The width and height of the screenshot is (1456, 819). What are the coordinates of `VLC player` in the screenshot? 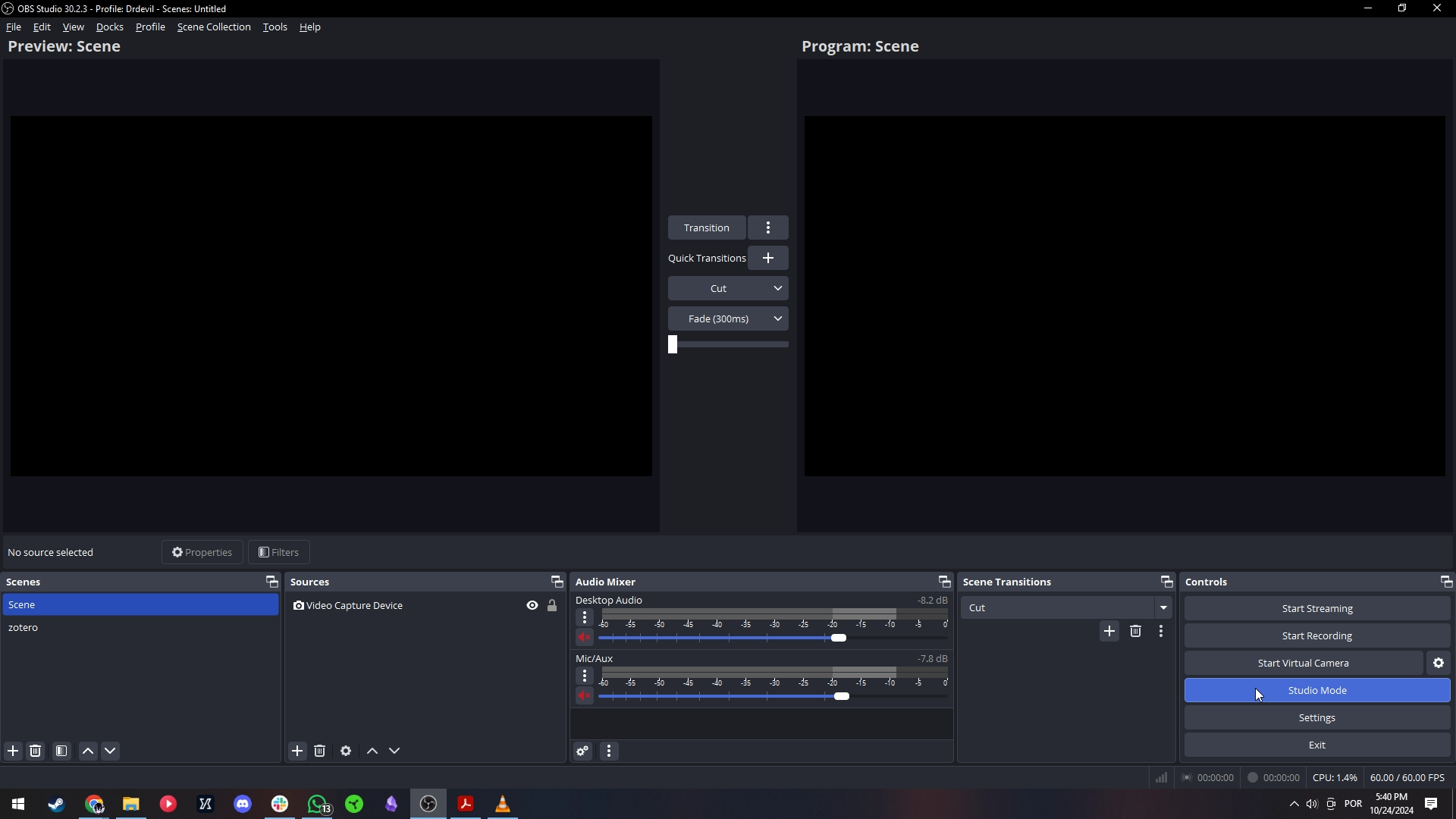 It's located at (503, 805).